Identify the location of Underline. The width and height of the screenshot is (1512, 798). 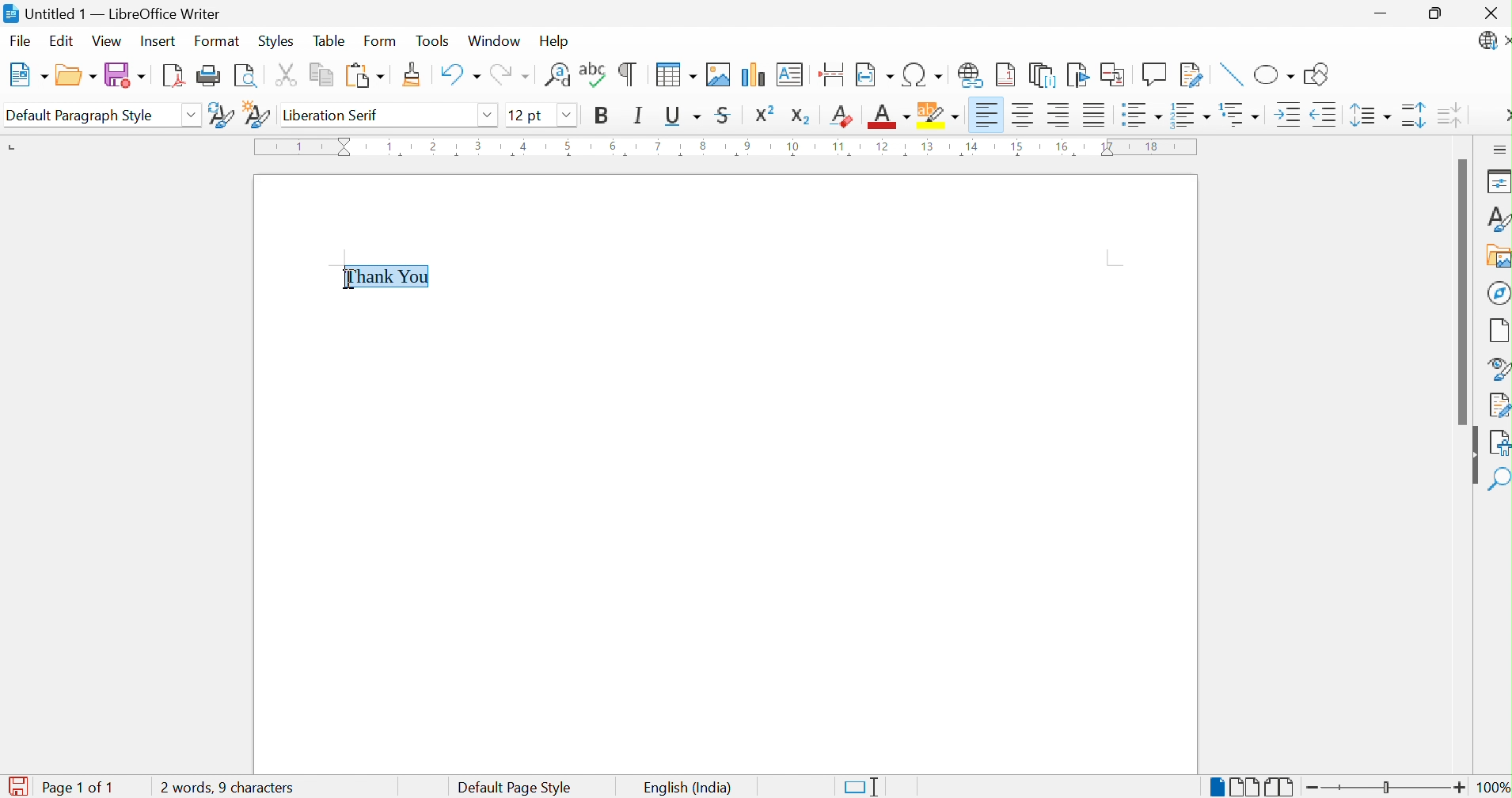
(685, 115).